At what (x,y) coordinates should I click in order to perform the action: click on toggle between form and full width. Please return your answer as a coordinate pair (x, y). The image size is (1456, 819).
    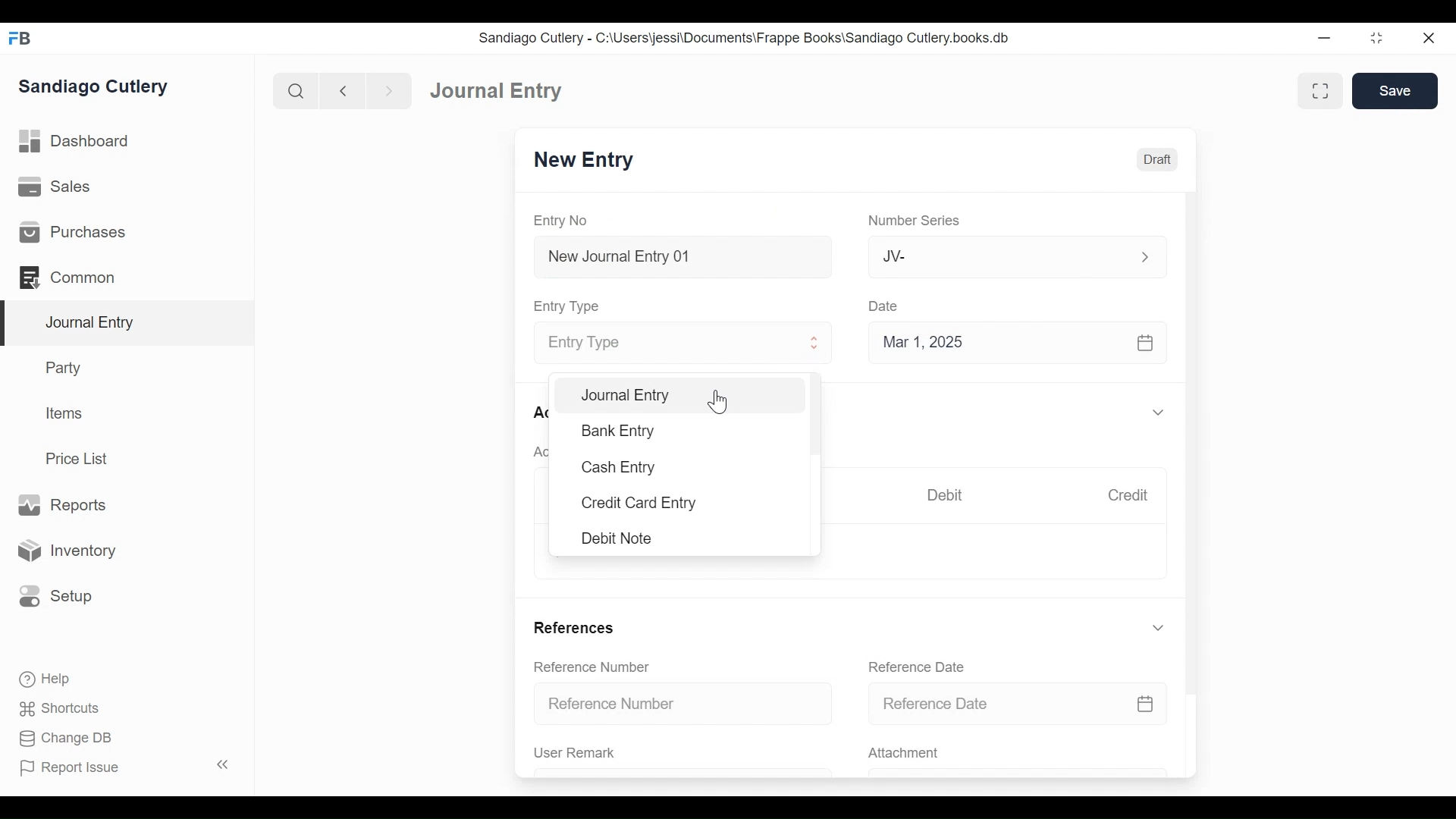
    Looking at the image, I should click on (1323, 92).